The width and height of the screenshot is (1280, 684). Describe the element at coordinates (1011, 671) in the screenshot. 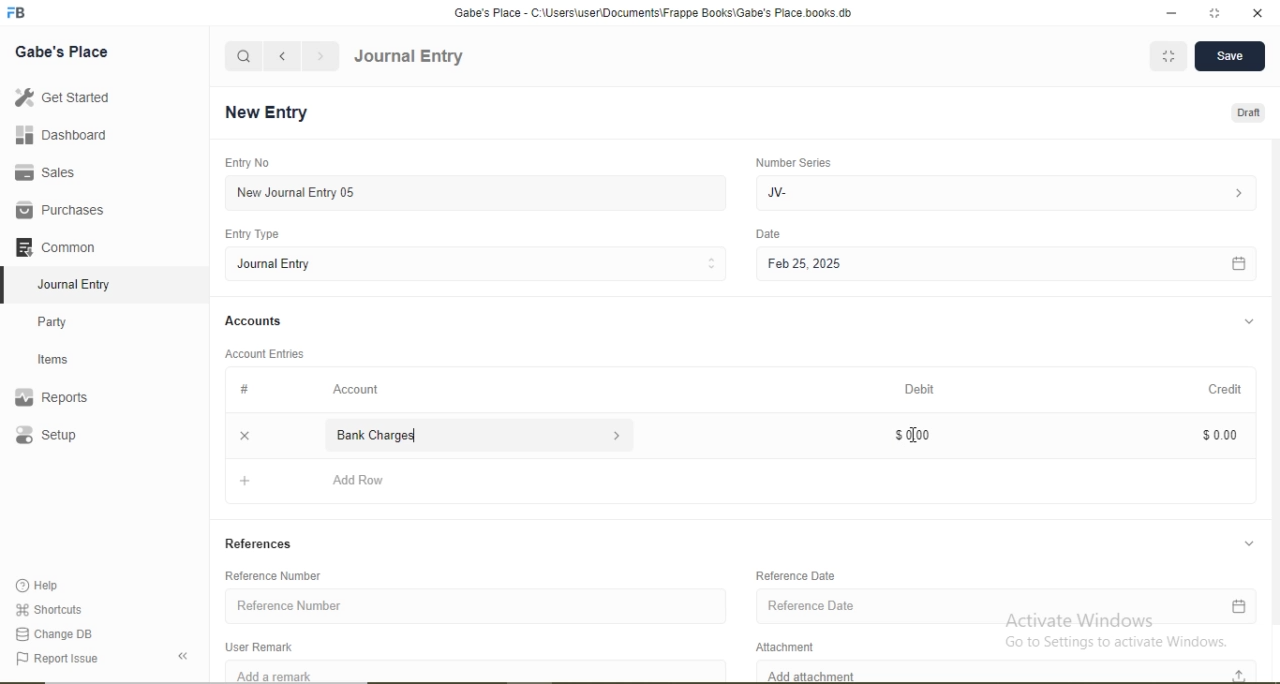

I see `Add attachment` at that location.